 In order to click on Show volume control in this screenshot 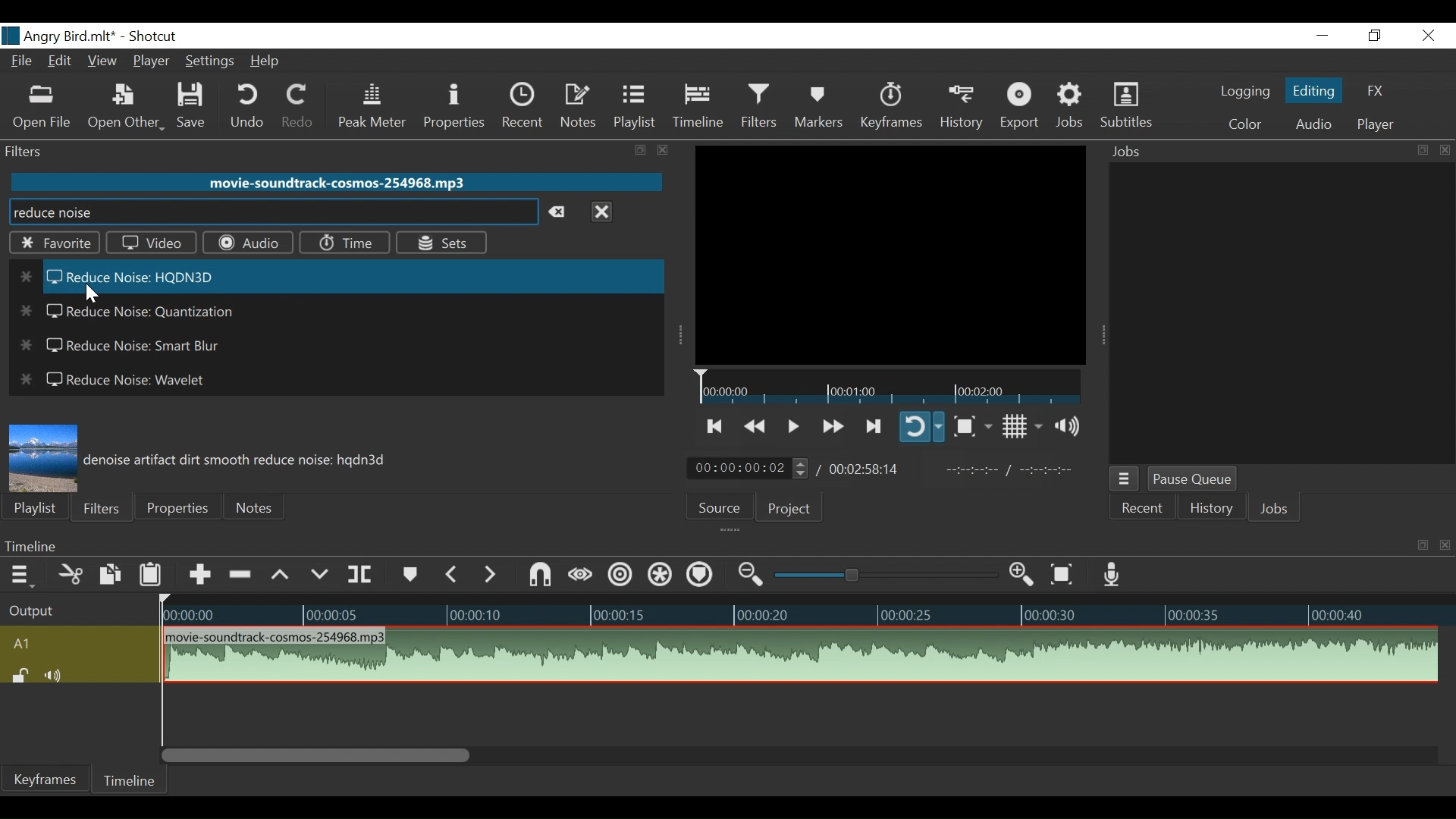, I will do `click(1071, 428)`.